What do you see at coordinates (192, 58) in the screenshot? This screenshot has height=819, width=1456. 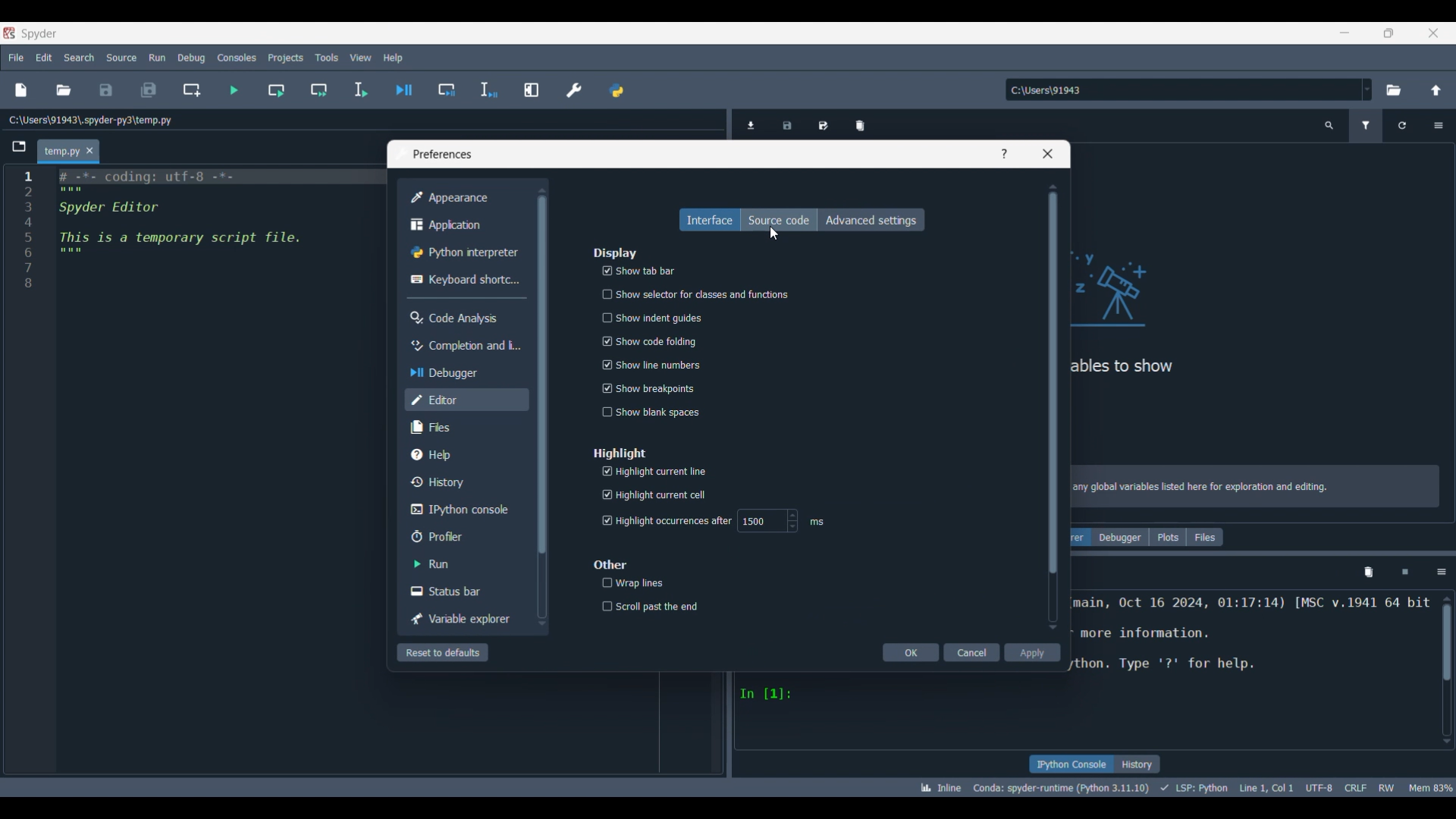 I see `Debug menu` at bounding box center [192, 58].